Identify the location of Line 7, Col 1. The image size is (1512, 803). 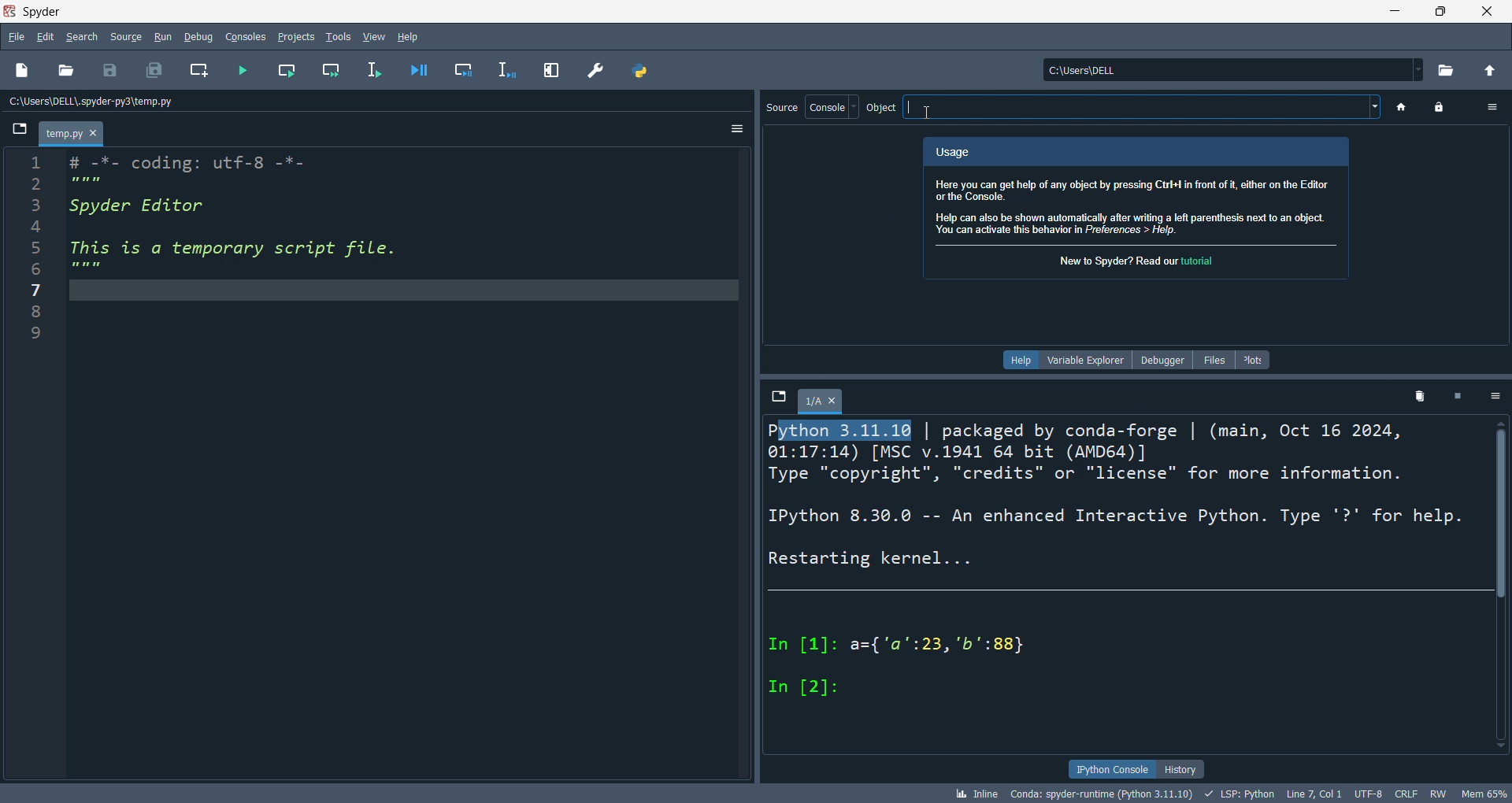
(1314, 793).